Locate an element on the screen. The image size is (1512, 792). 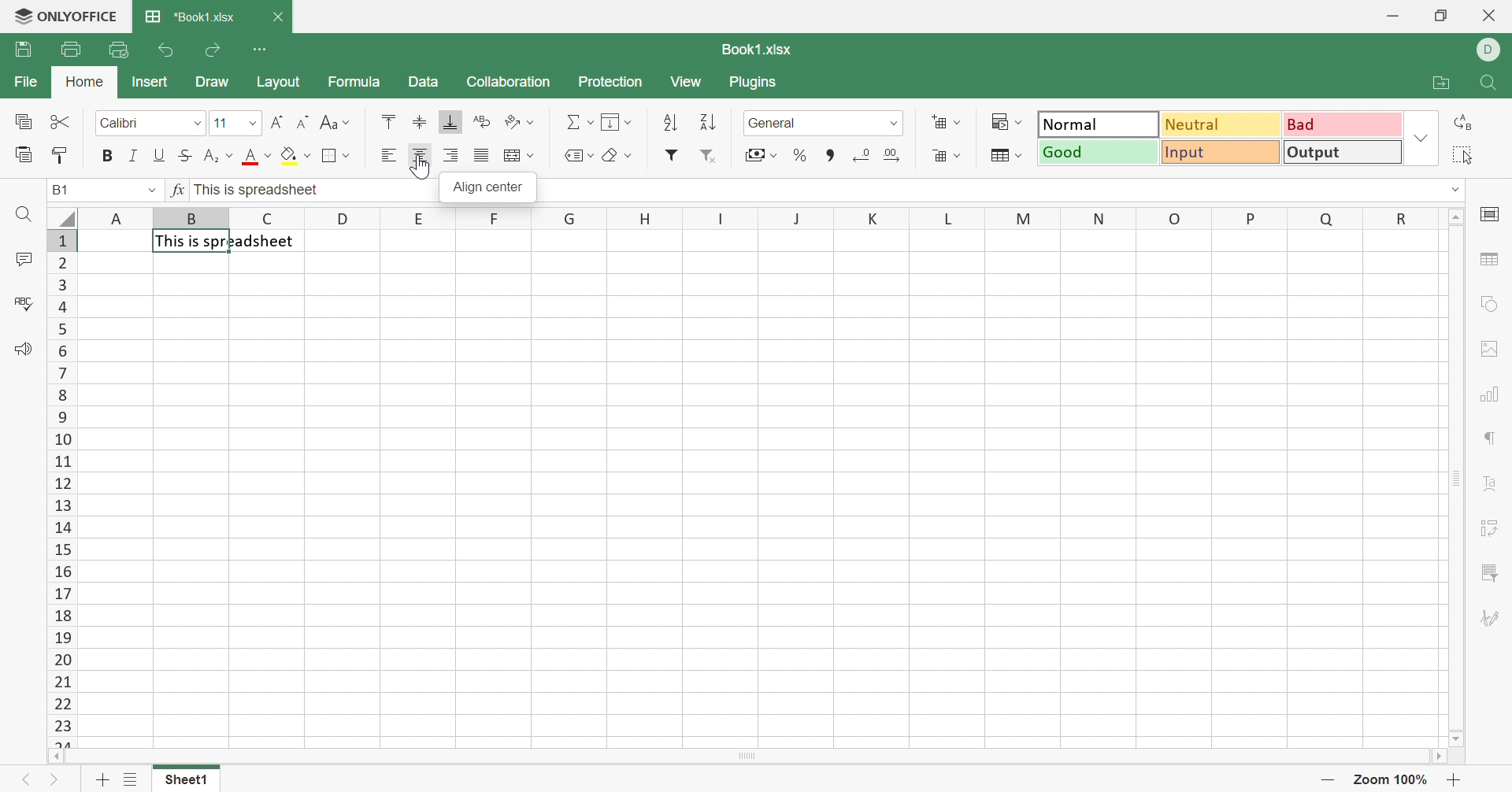
Underline is located at coordinates (159, 154).